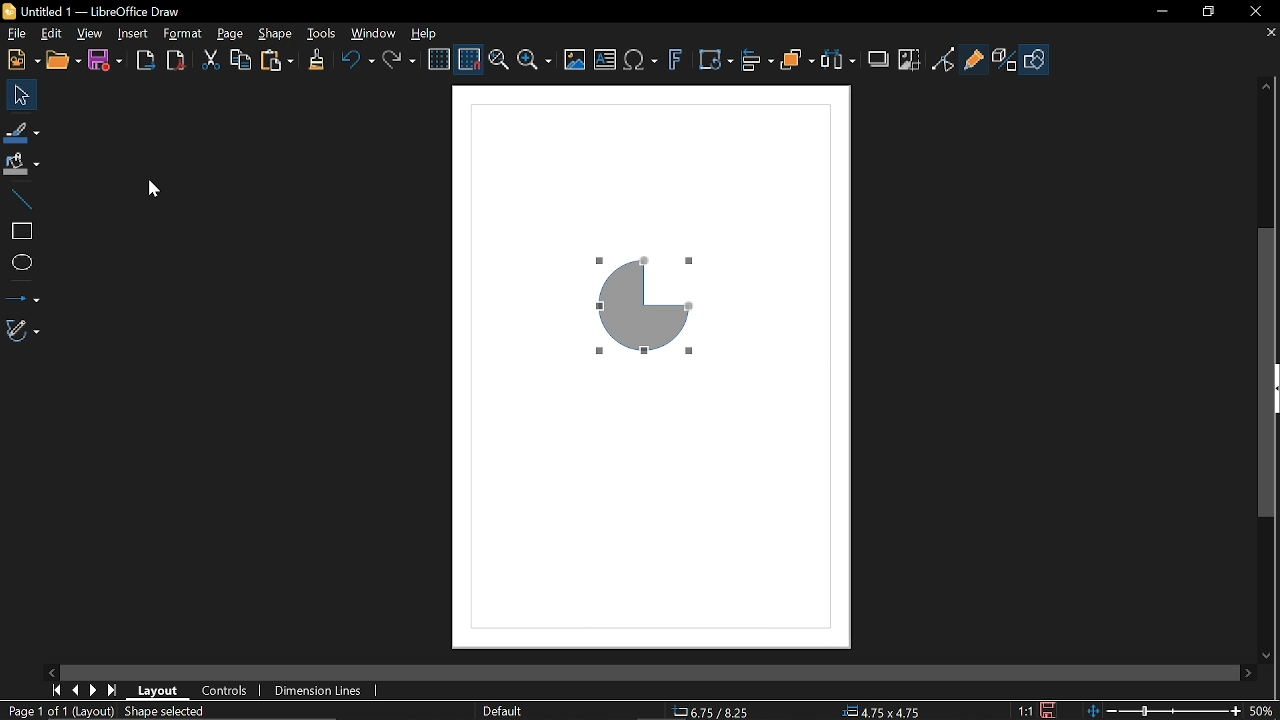 The width and height of the screenshot is (1280, 720). I want to click on Default (Slide master name), so click(506, 711).